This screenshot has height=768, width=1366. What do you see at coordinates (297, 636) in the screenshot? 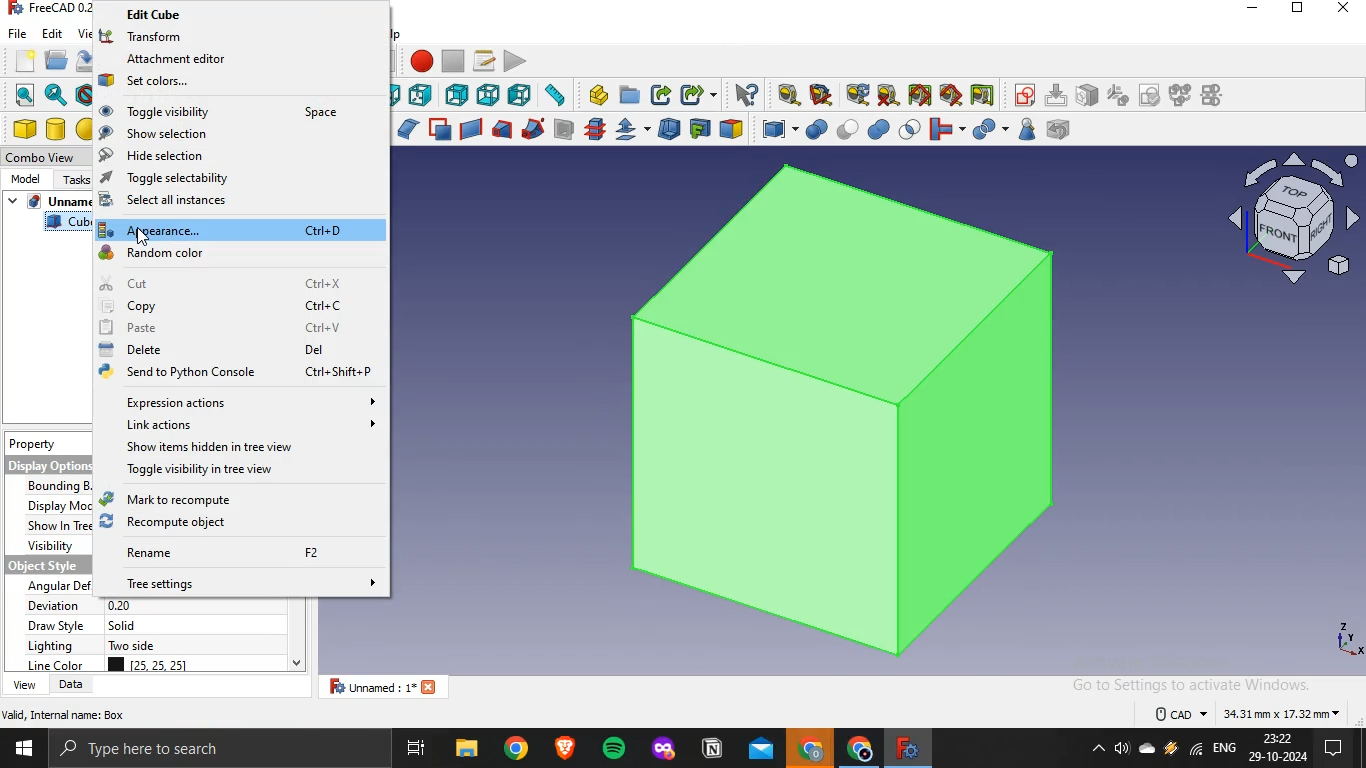
I see `scroll bar` at bounding box center [297, 636].